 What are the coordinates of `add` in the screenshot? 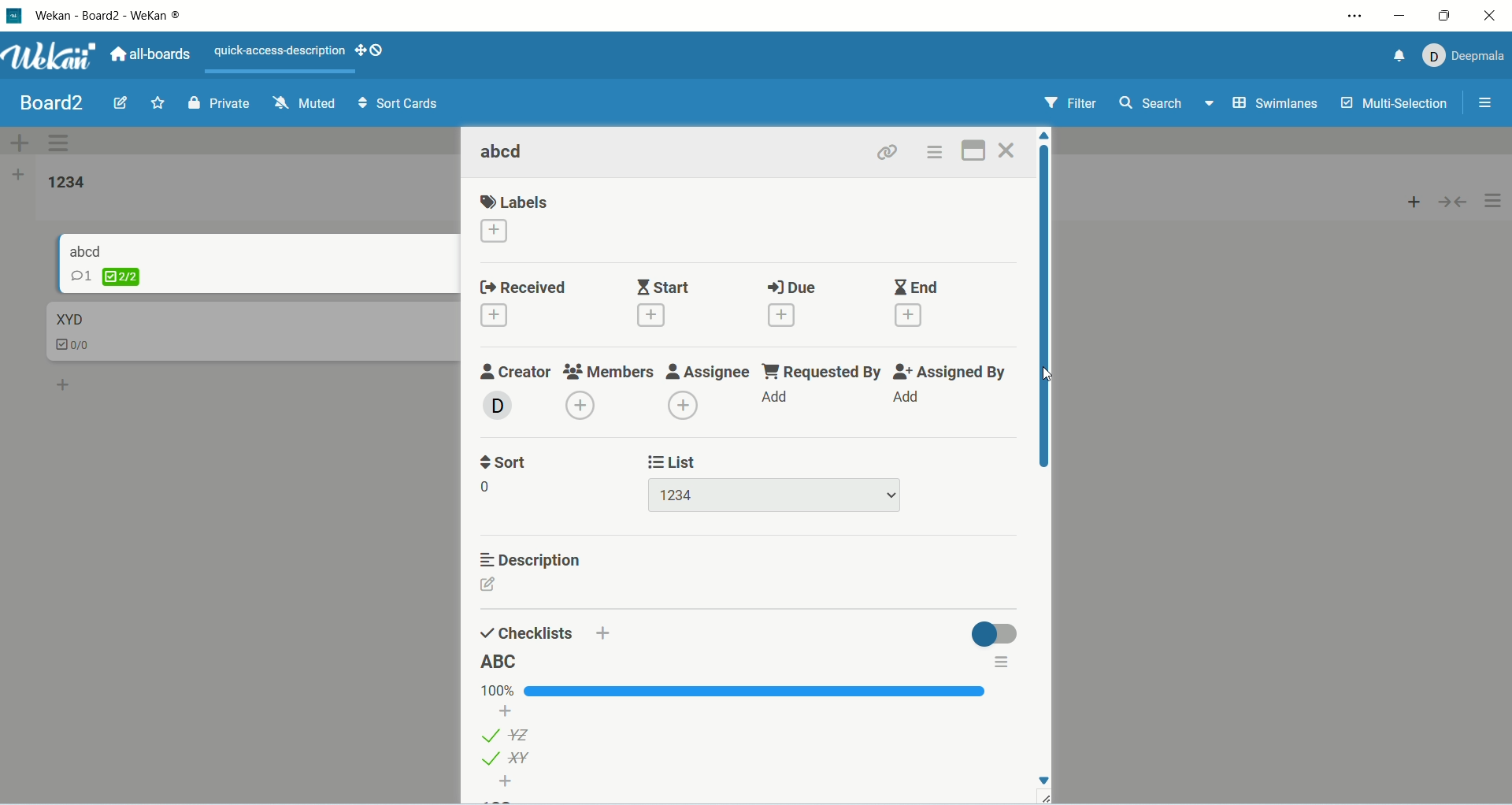 It's located at (1410, 205).